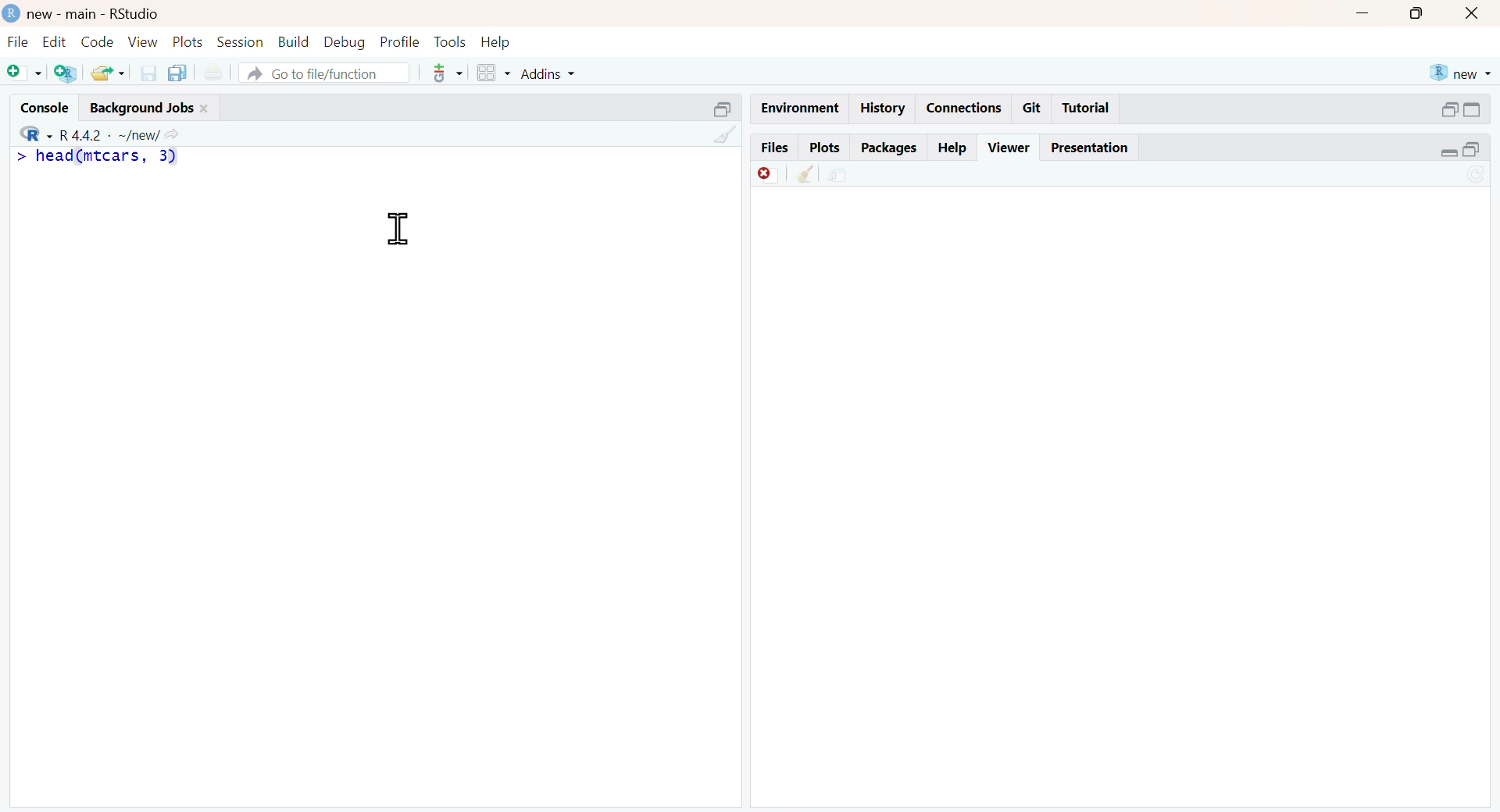  I want to click on Addins +, so click(548, 74).